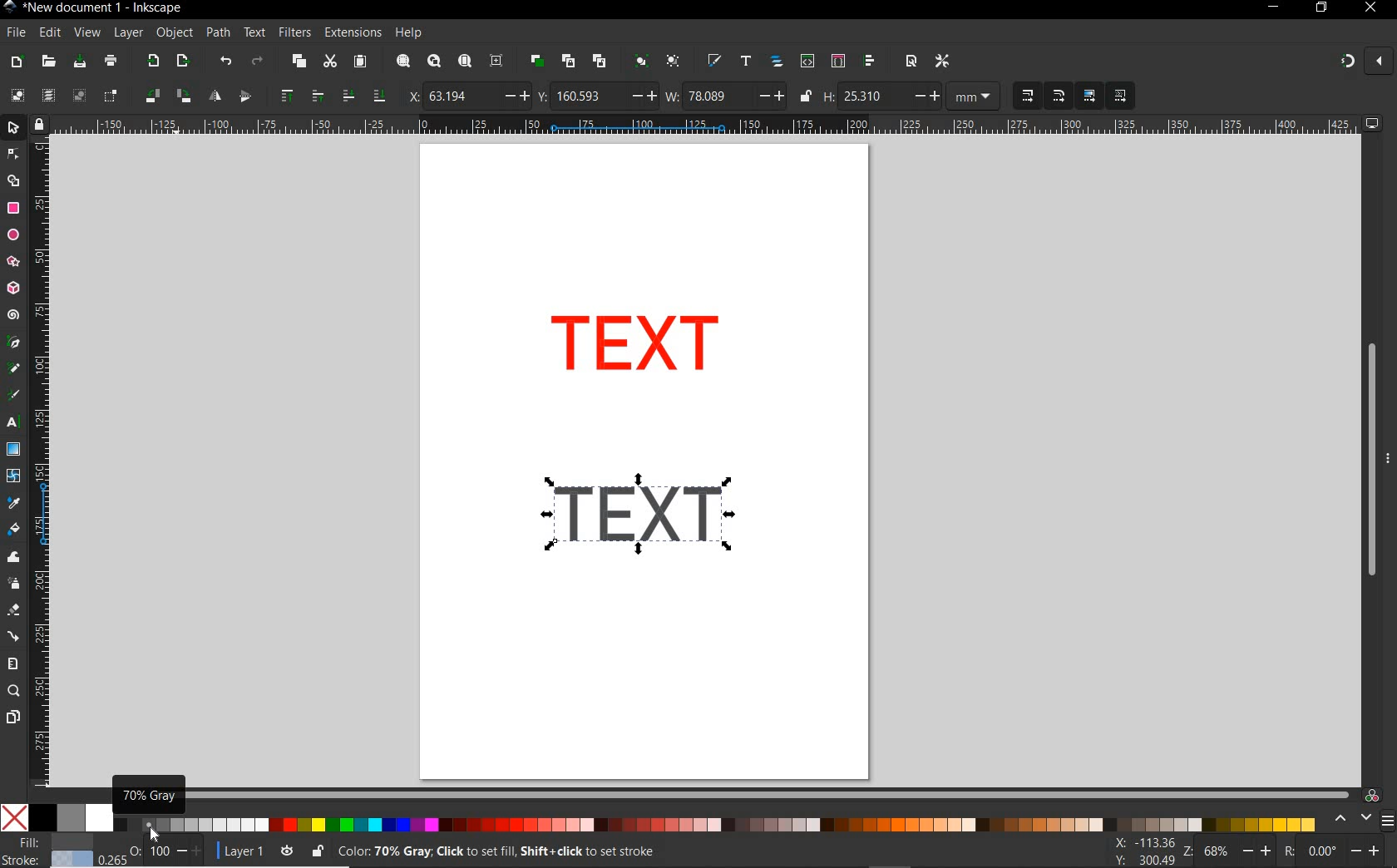 Image resolution: width=1397 pixels, height=868 pixels. What do you see at coordinates (464, 61) in the screenshot?
I see `zoom page` at bounding box center [464, 61].